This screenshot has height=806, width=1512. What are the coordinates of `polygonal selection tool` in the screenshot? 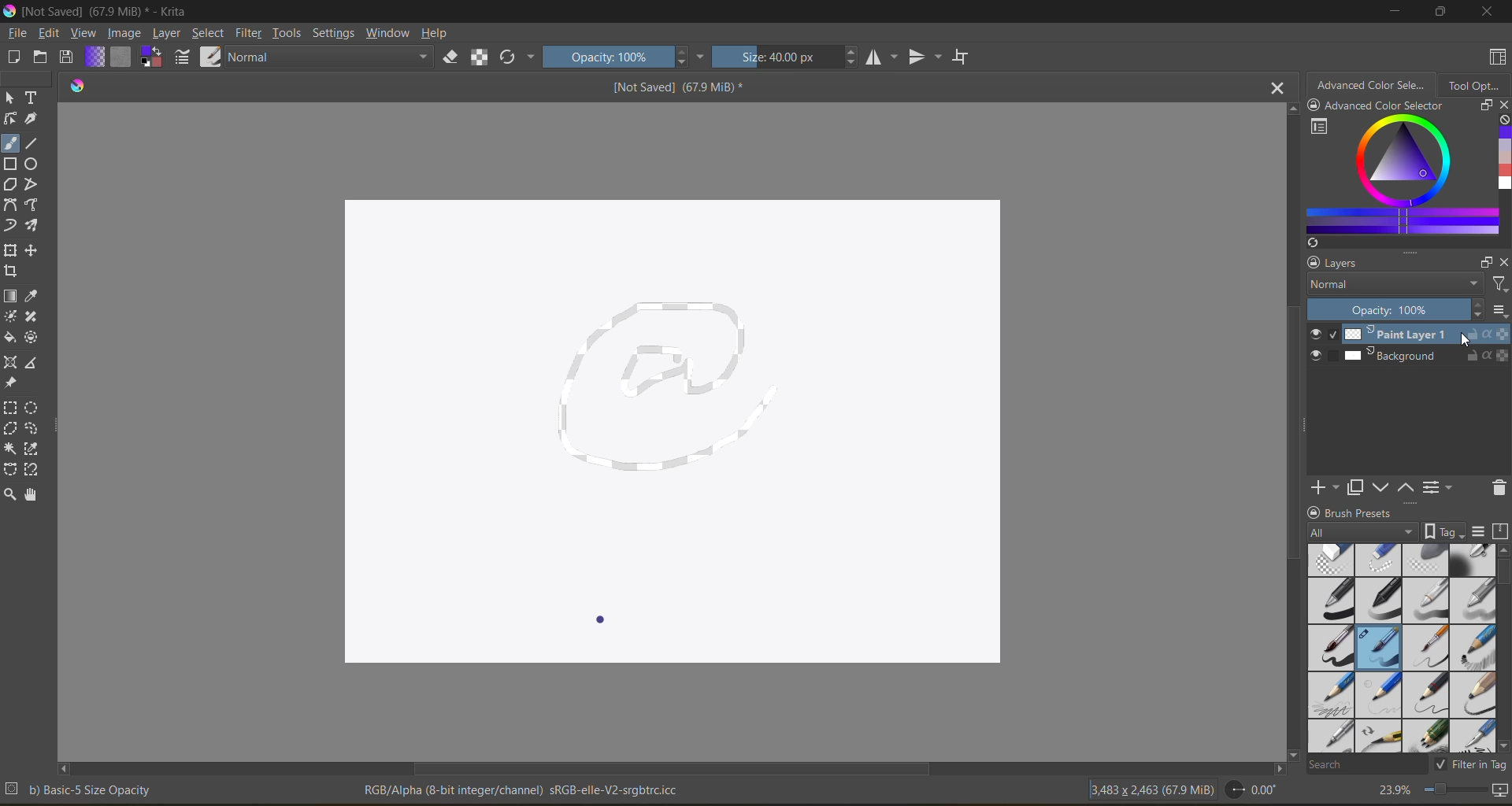 It's located at (10, 427).